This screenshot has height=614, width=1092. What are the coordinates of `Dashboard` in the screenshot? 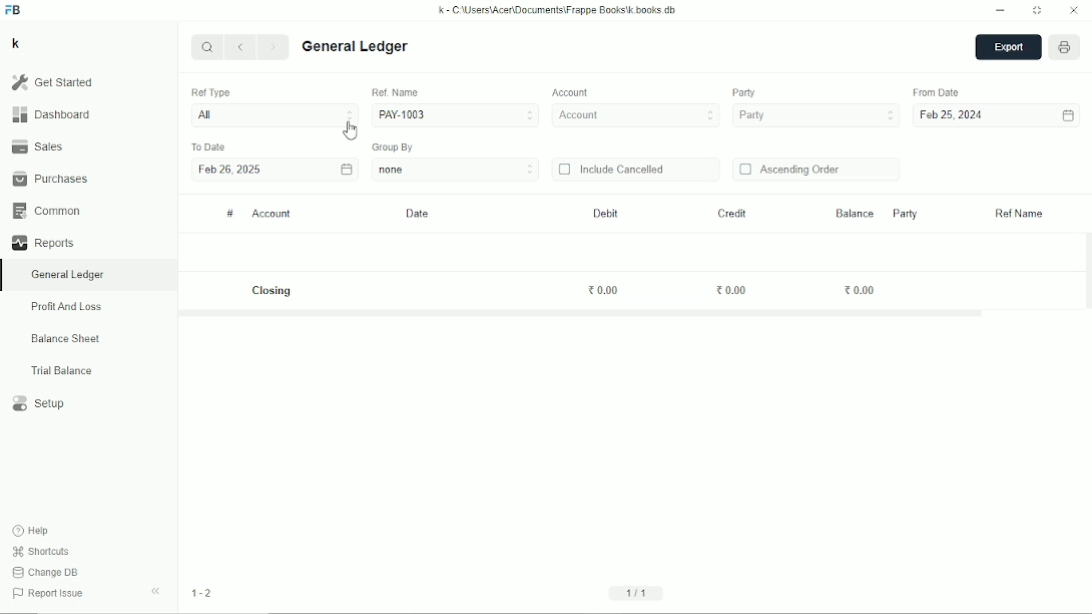 It's located at (51, 114).